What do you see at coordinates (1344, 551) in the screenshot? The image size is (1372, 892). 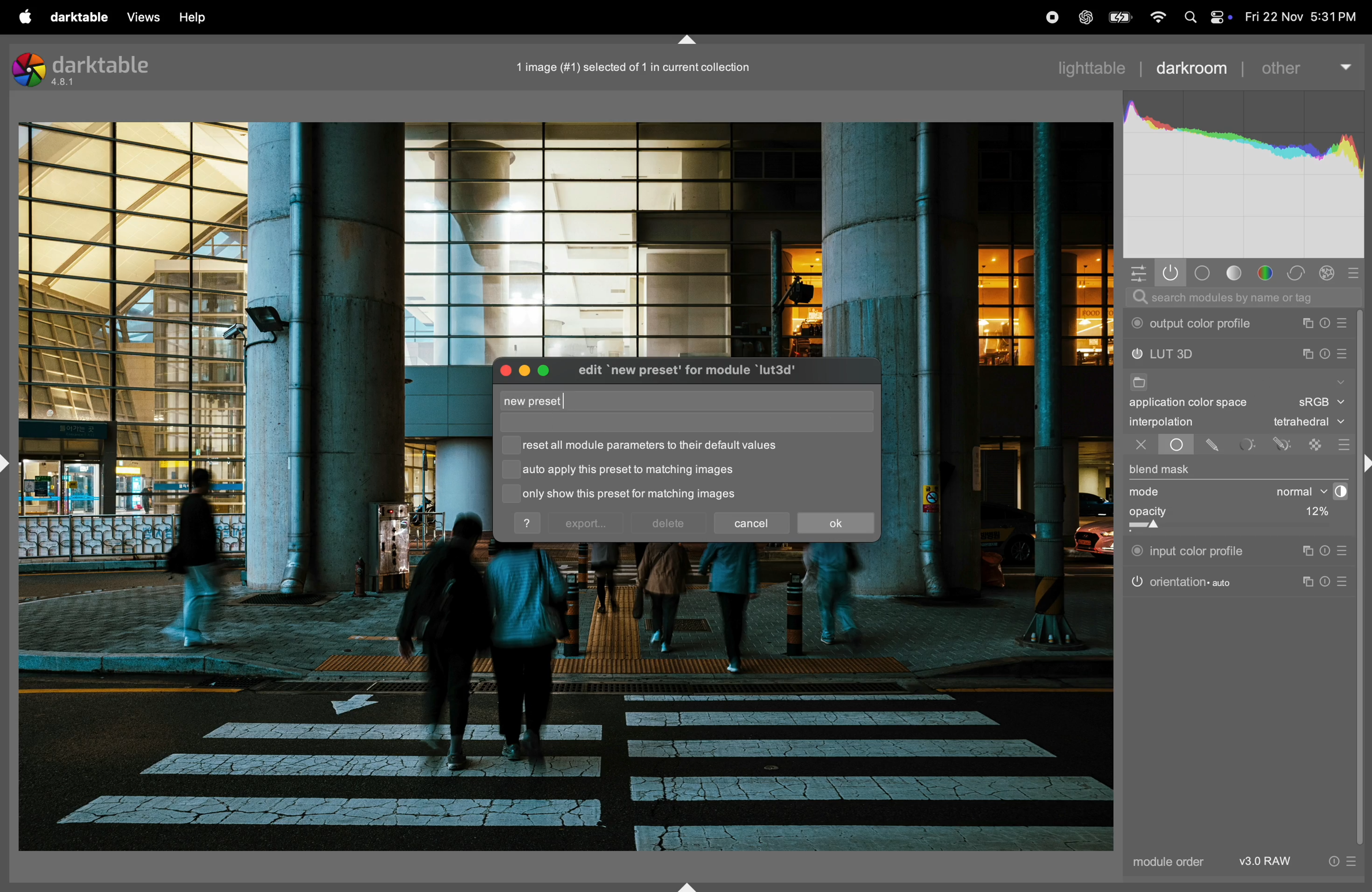 I see `presets` at bounding box center [1344, 551].